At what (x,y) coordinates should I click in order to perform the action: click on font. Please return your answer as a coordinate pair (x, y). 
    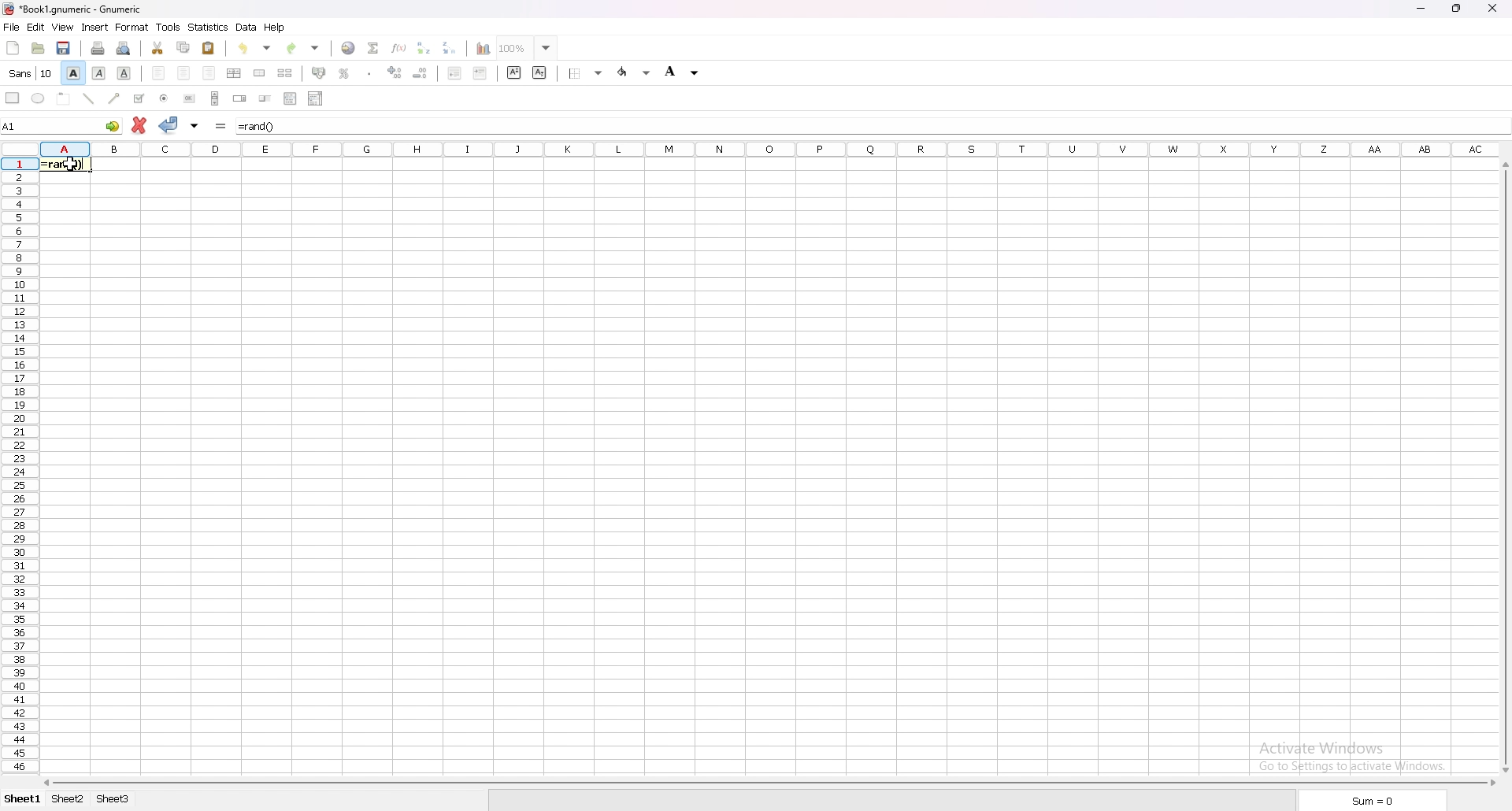
    Looking at the image, I should click on (32, 72).